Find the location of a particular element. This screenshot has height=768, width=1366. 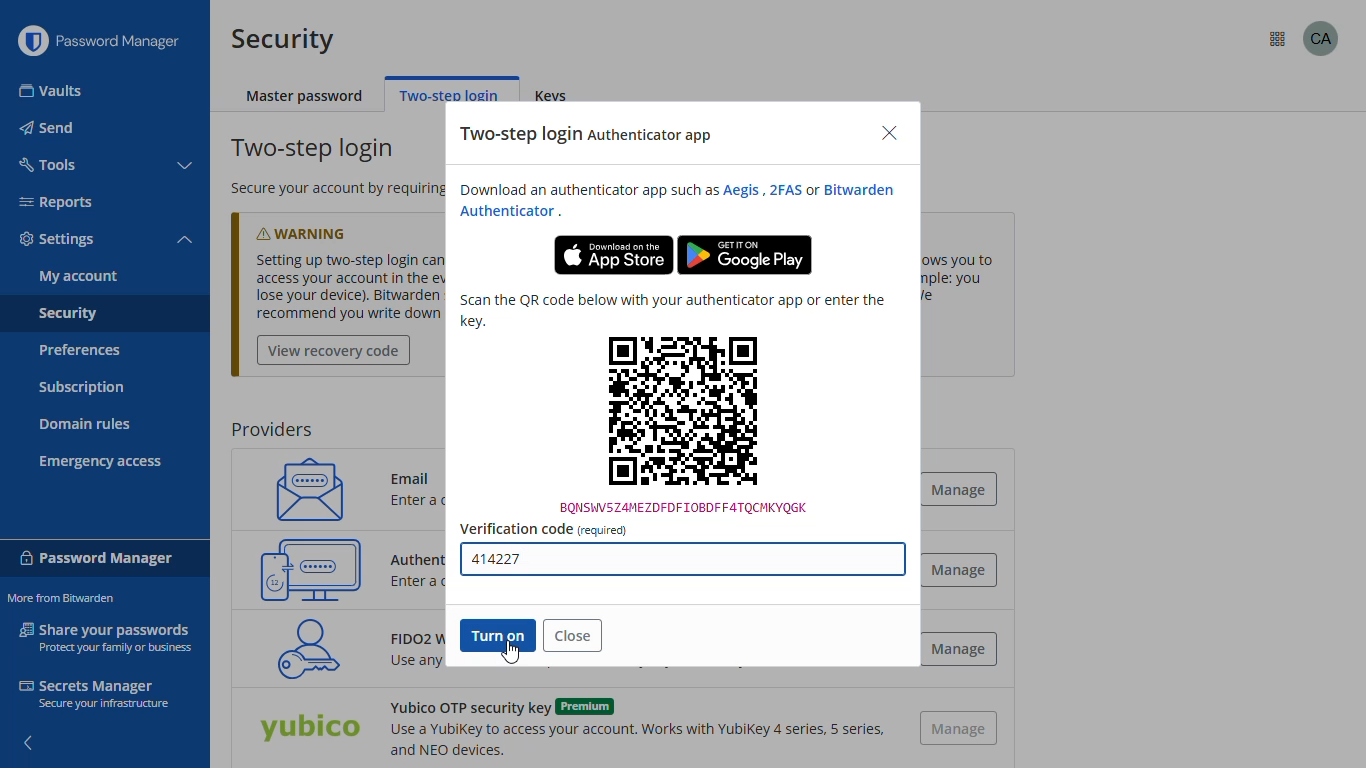

security is located at coordinates (67, 315).